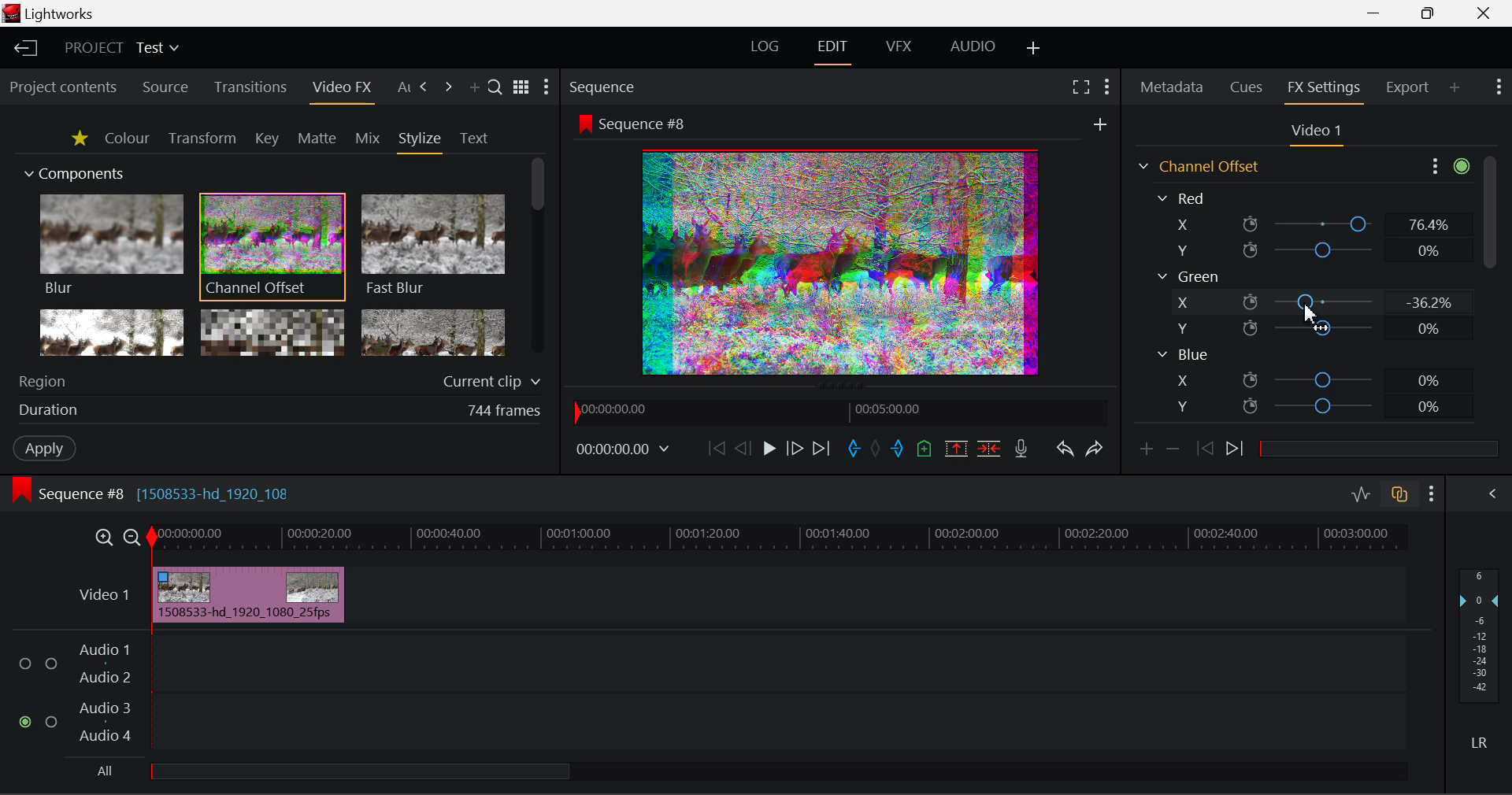 The image size is (1512, 795). I want to click on Search, so click(495, 87).